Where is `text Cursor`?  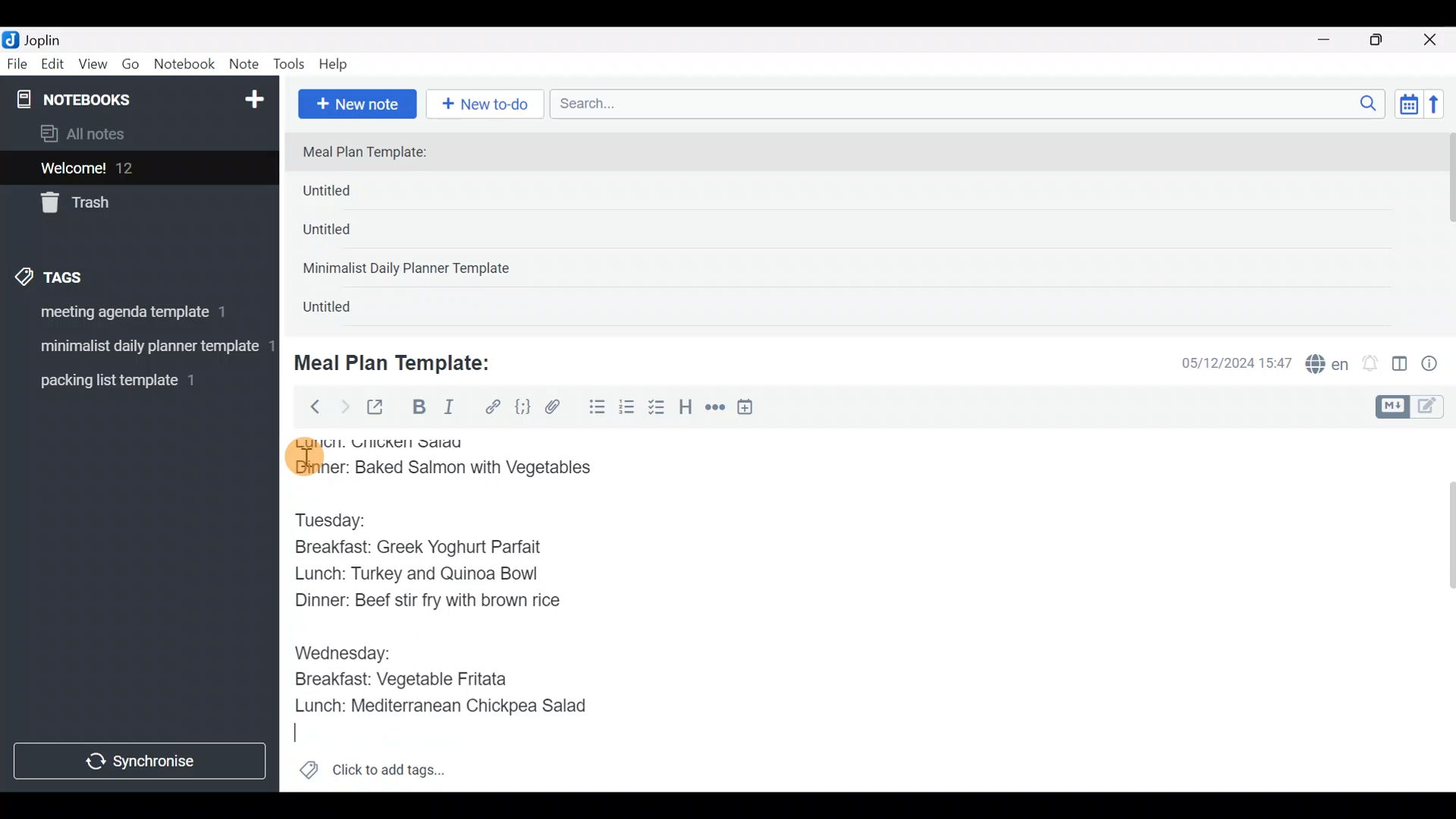
text Cursor is located at coordinates (304, 733).